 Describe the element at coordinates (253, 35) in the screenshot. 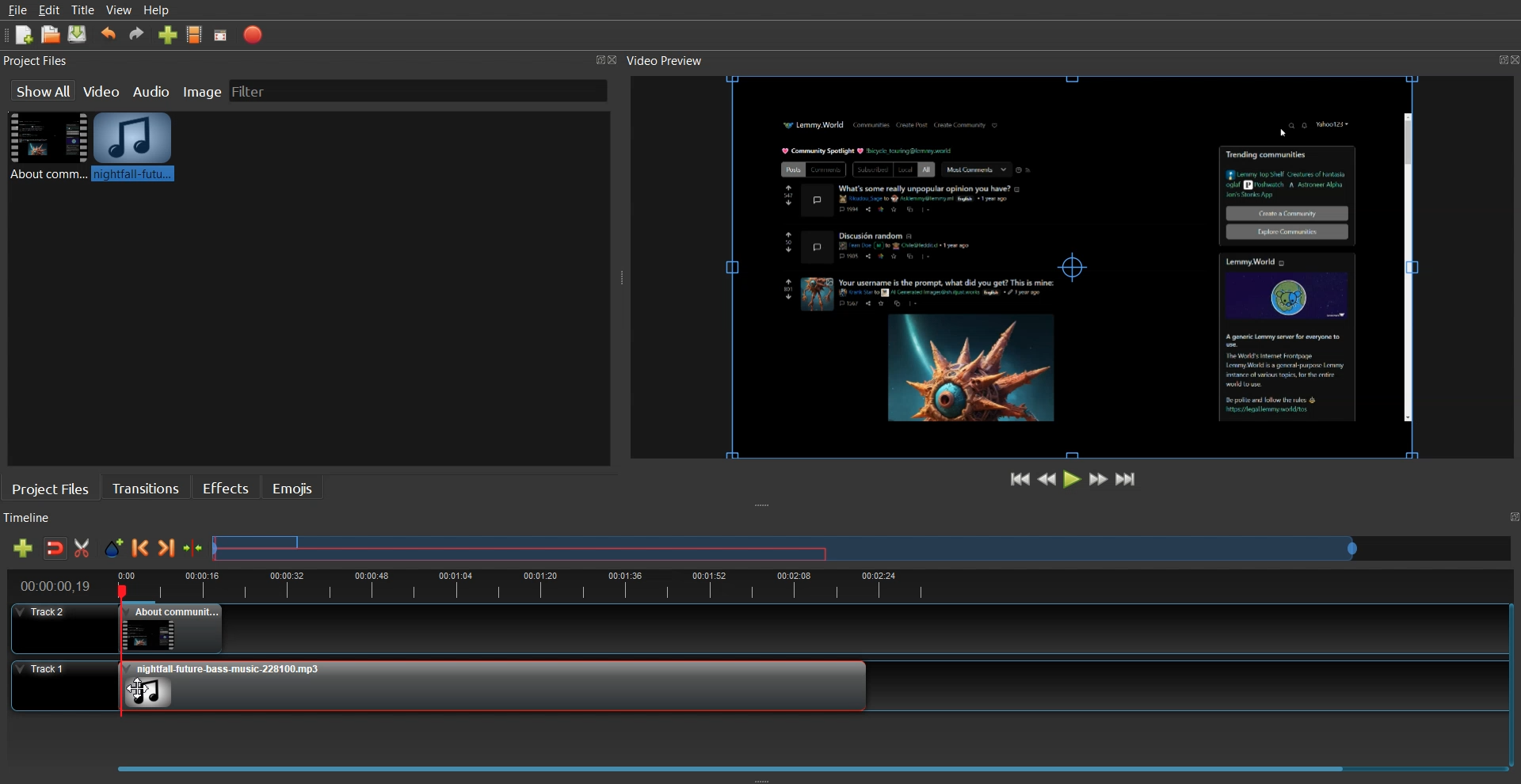

I see `Export Video` at that location.